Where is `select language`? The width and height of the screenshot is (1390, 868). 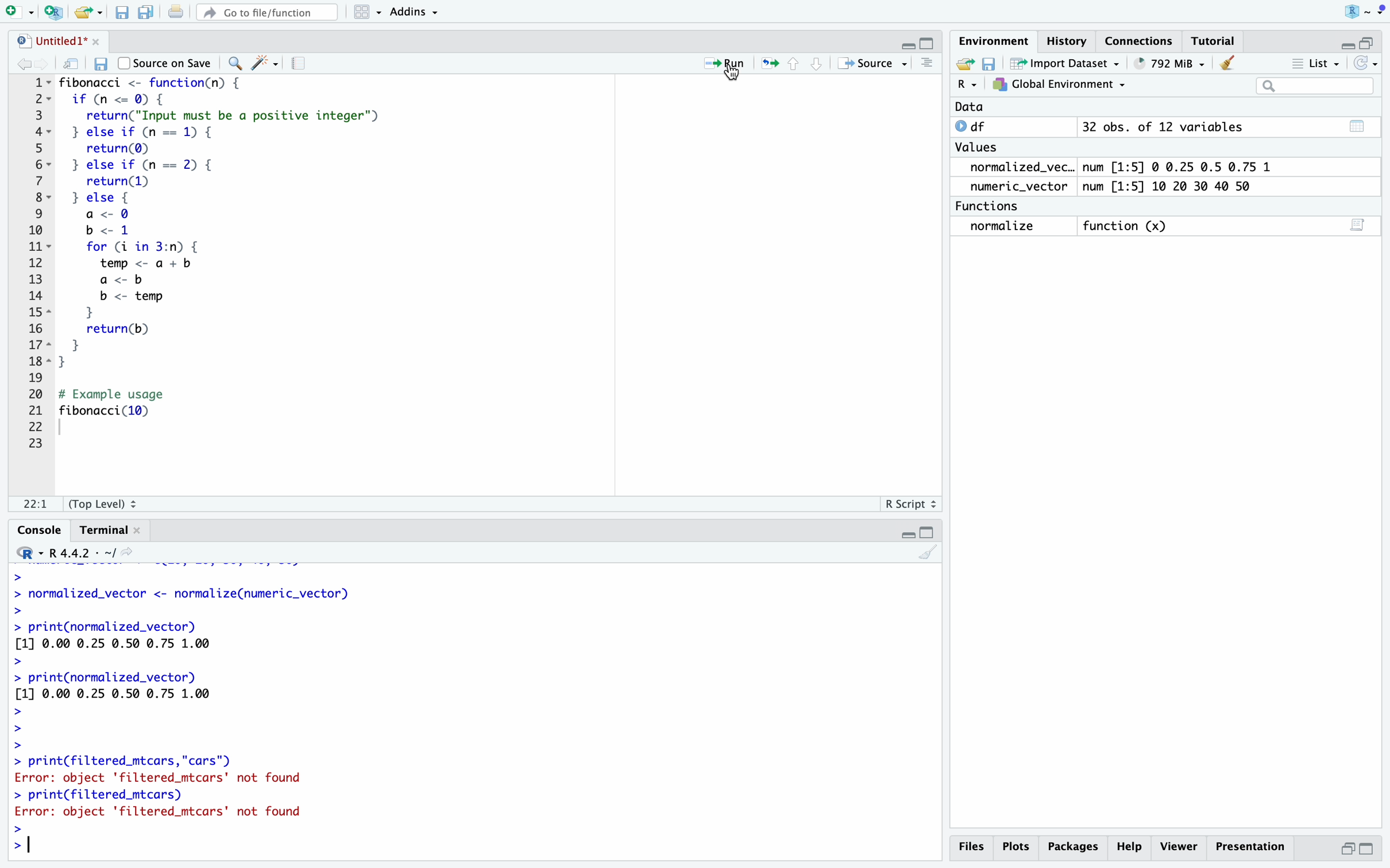
select language is located at coordinates (967, 85).